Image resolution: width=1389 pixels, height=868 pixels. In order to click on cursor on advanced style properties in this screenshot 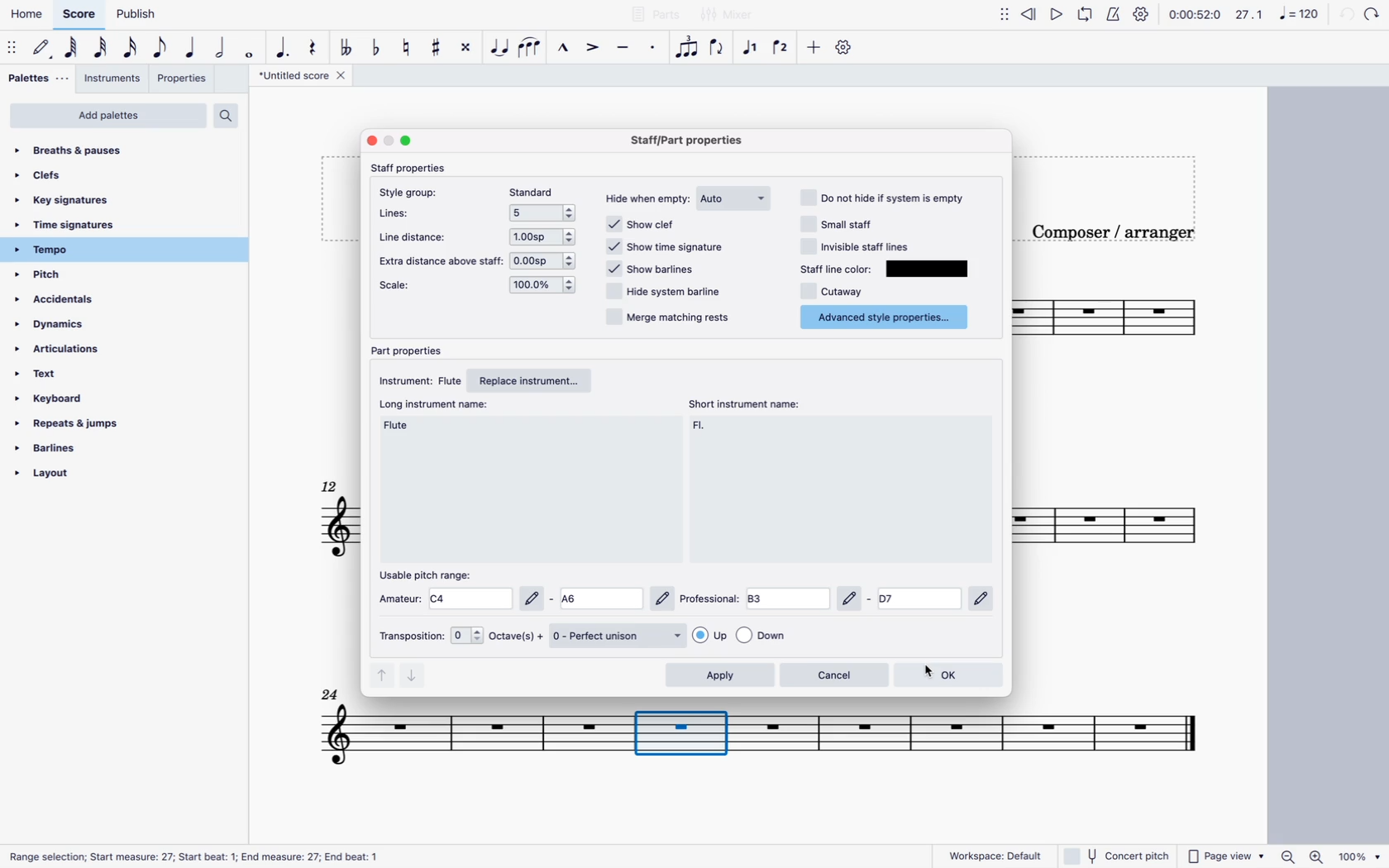, I will do `click(880, 326)`.